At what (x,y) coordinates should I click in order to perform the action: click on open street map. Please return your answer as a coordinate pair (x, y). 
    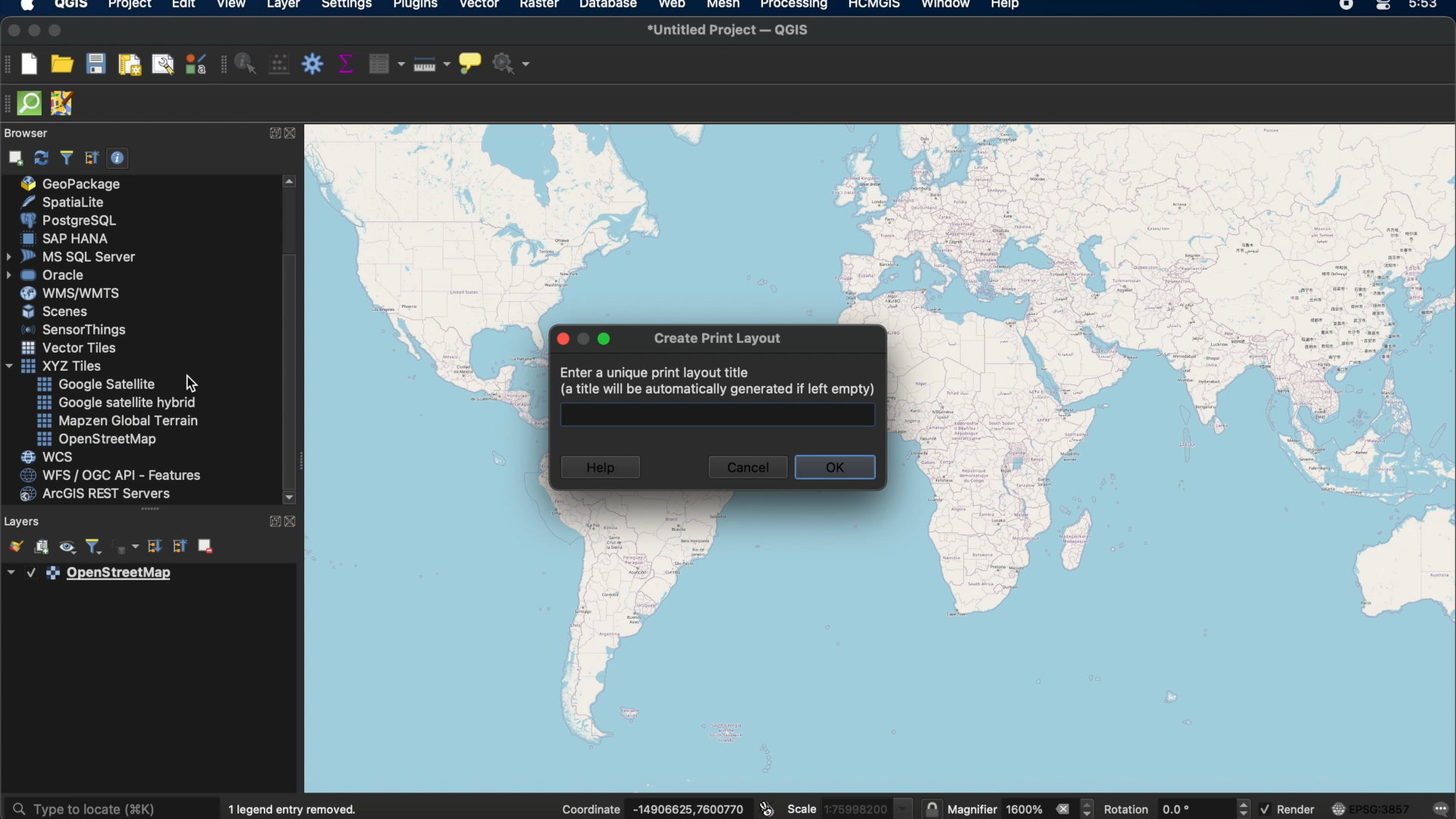
    Looking at the image, I should click on (119, 438).